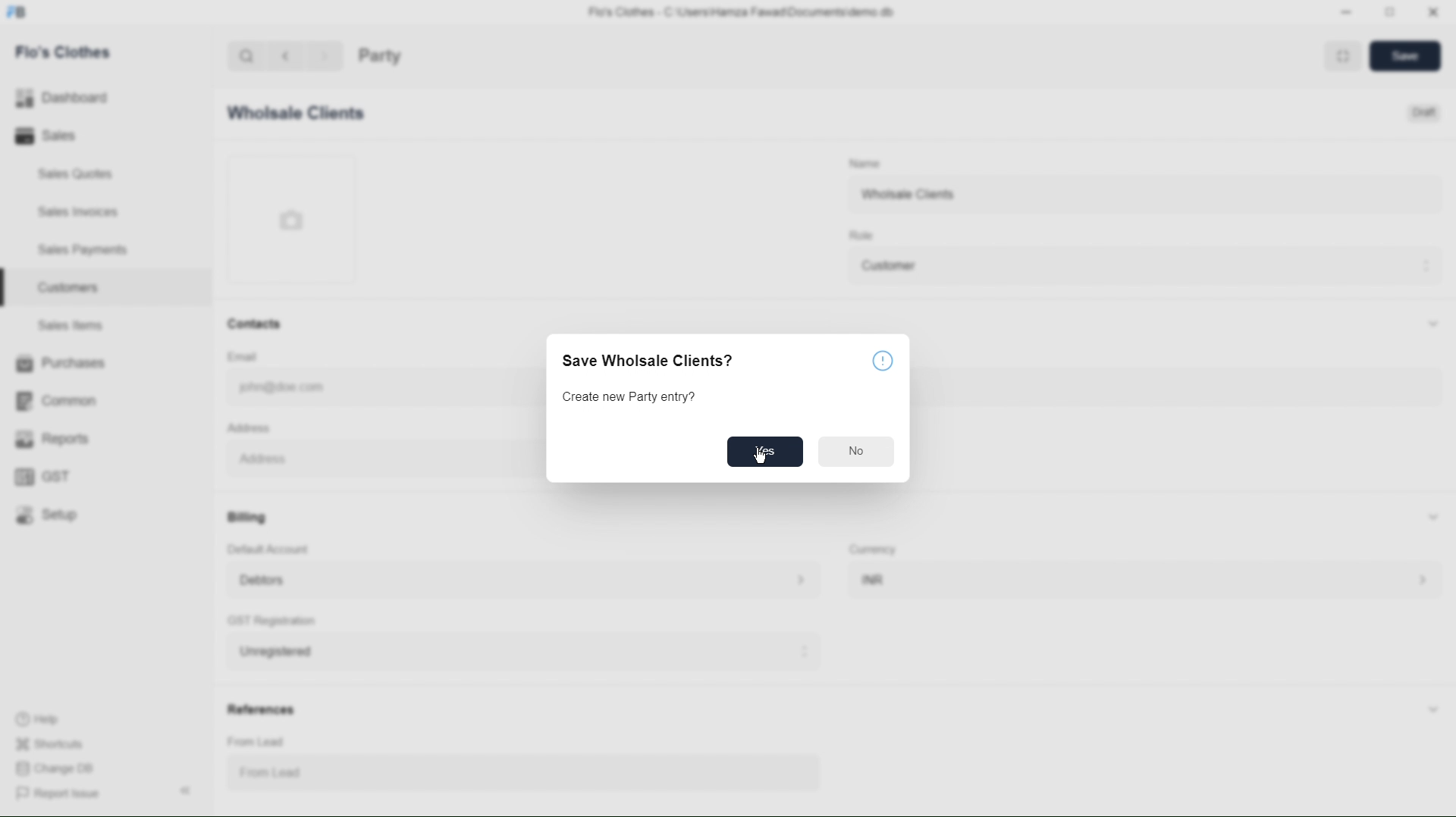 This screenshot has width=1456, height=817. I want to click on YES, so click(768, 450).